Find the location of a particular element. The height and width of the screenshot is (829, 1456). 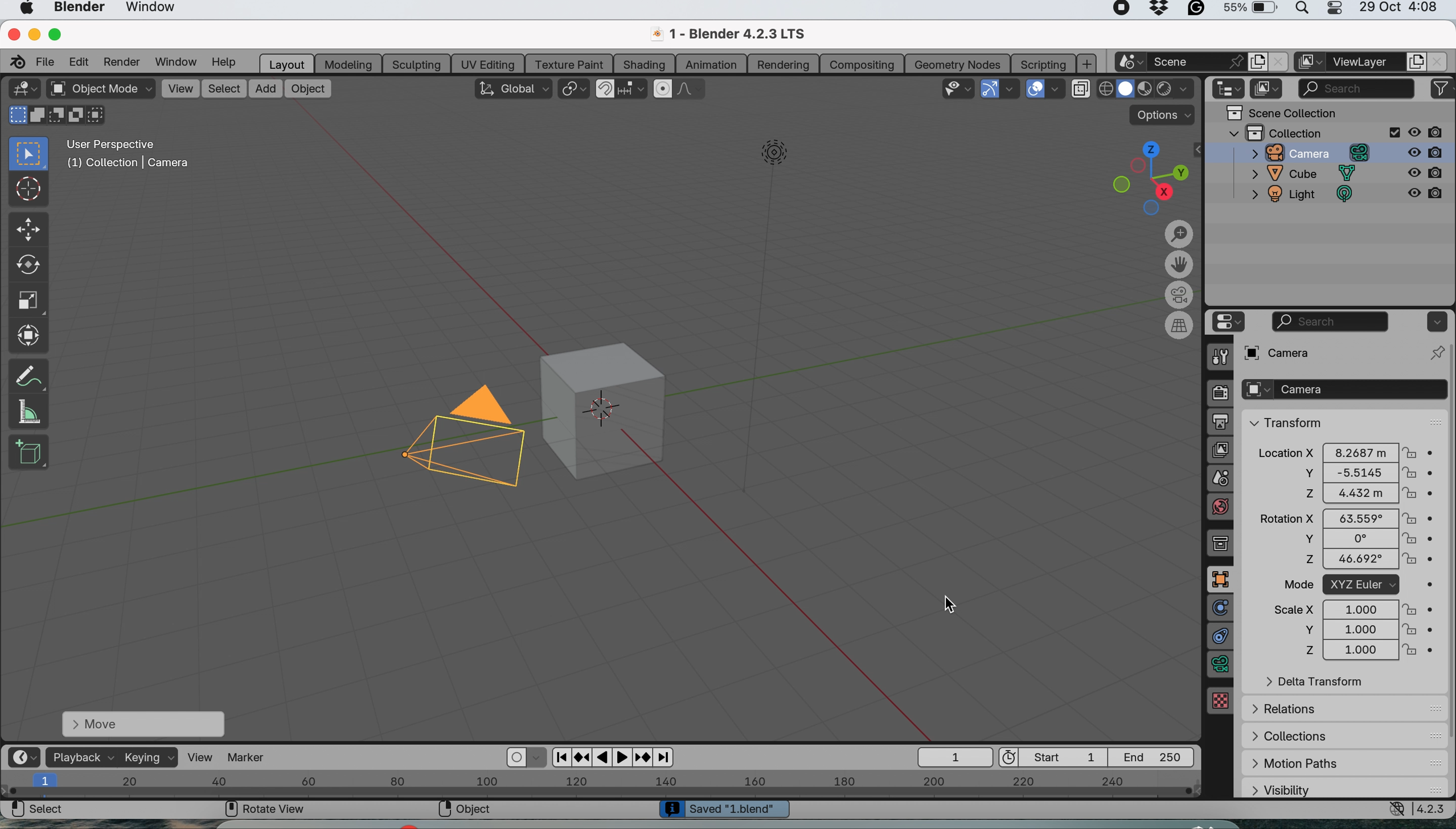

auto keying is located at coordinates (514, 757).